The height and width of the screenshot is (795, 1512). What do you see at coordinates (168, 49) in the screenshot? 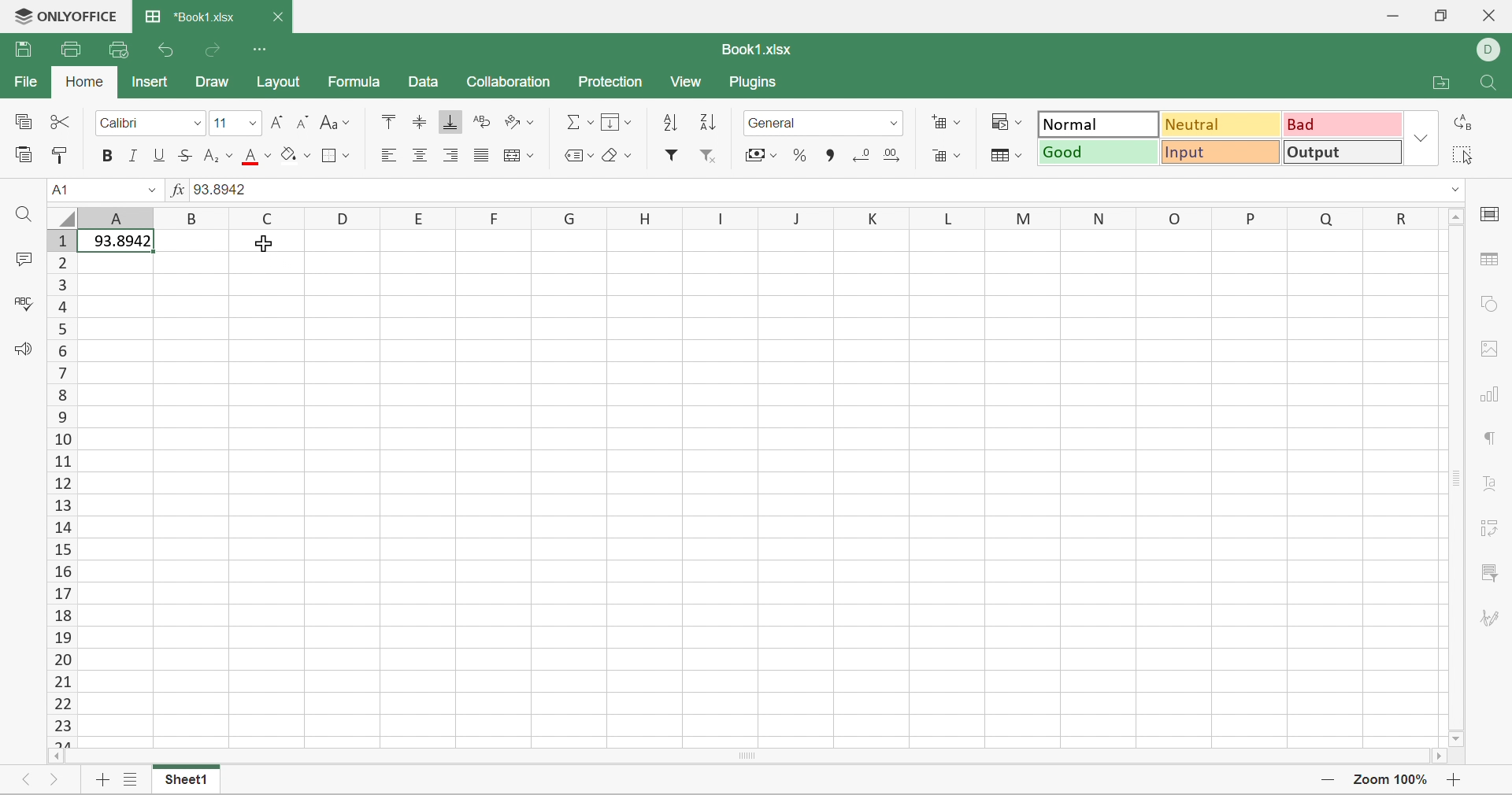
I see `Undo` at bounding box center [168, 49].